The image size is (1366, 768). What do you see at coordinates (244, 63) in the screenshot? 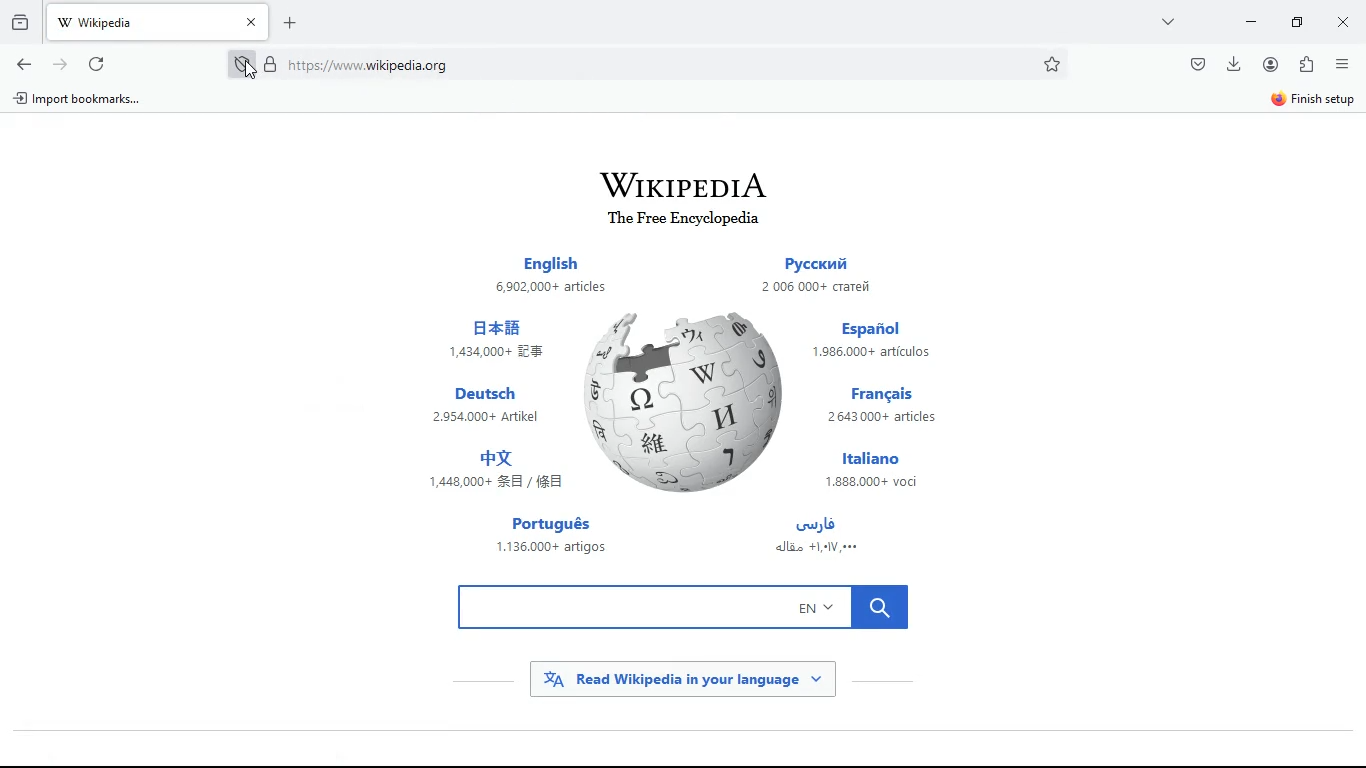
I see `protection` at bounding box center [244, 63].